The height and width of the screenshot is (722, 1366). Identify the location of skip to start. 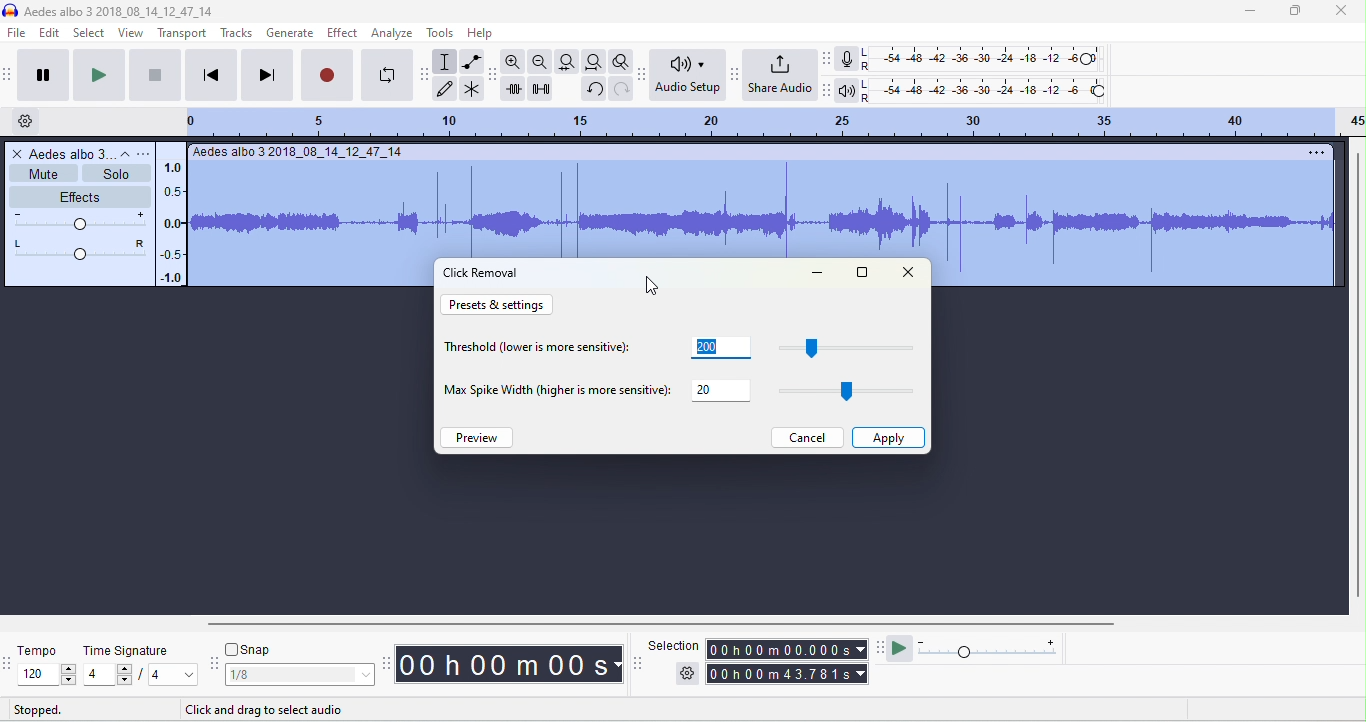
(211, 75).